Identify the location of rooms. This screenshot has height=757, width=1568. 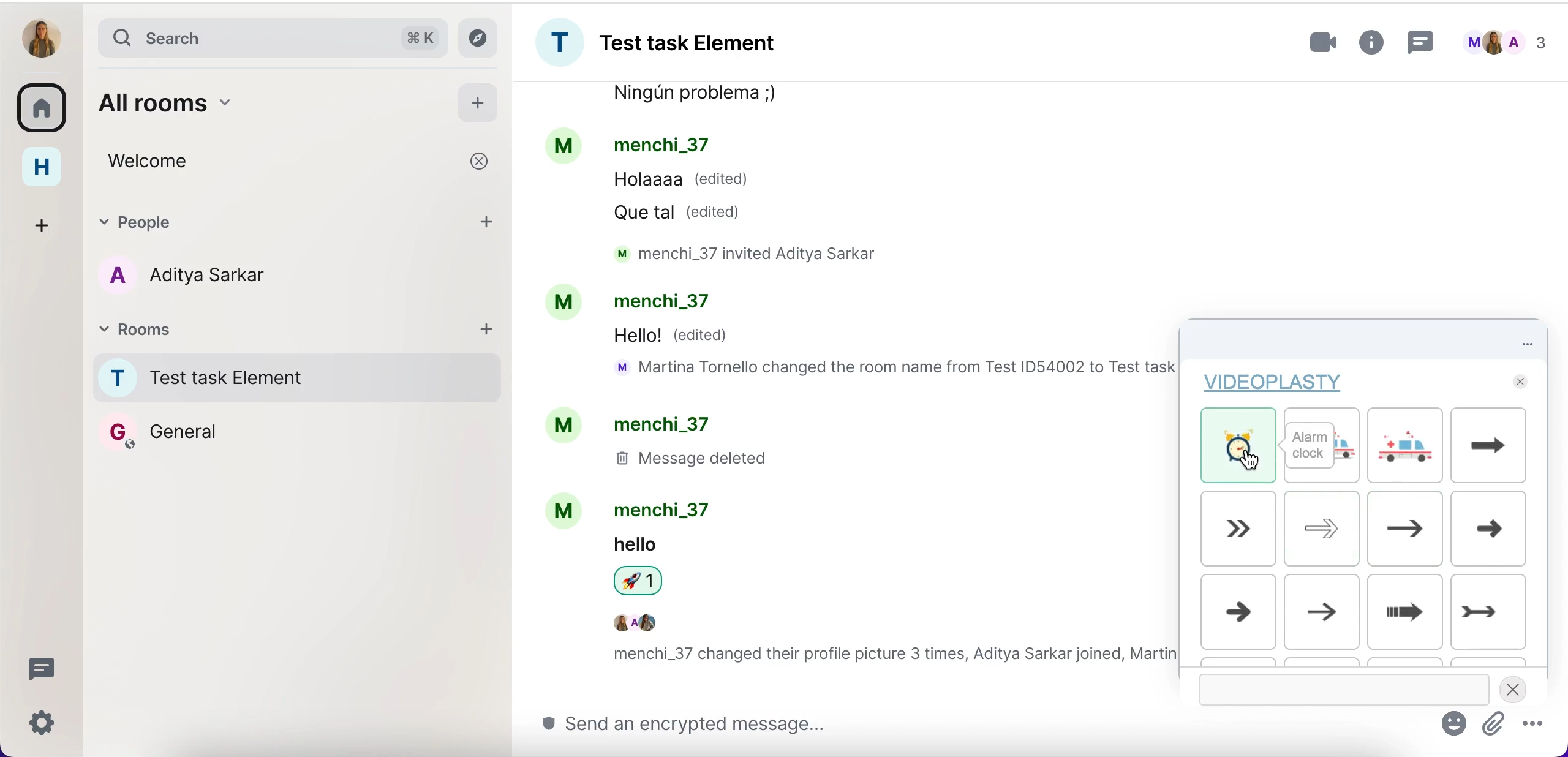
(43, 107).